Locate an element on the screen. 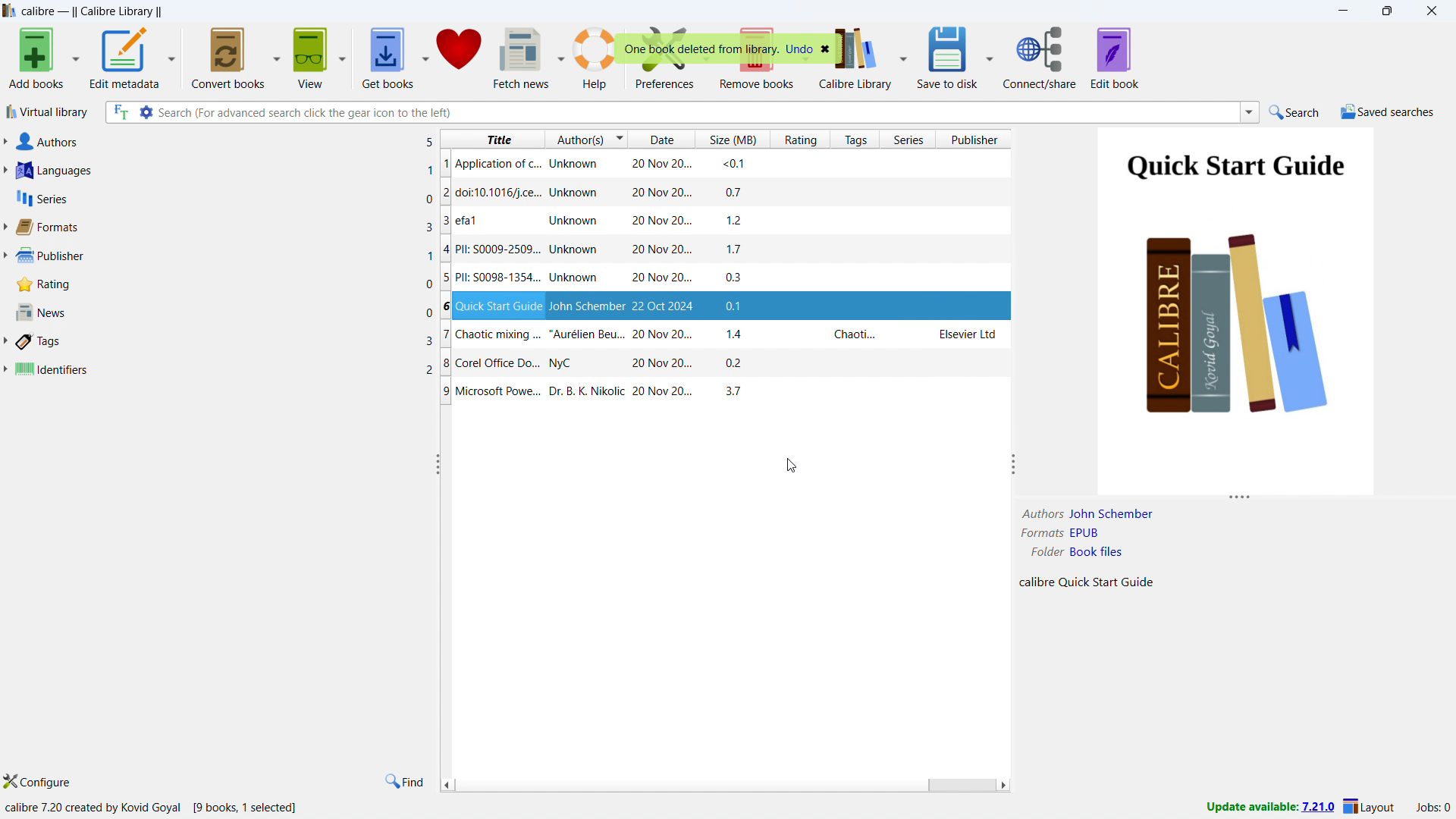  formats is located at coordinates (219, 226).